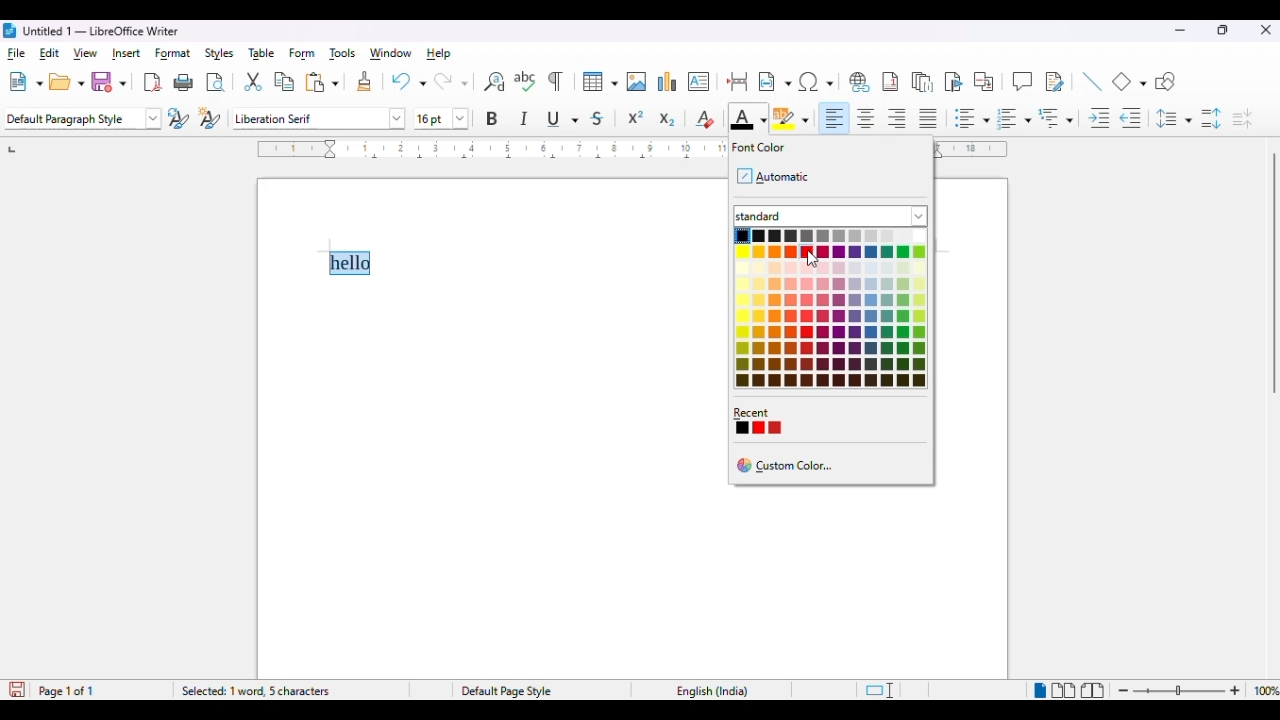  What do you see at coordinates (442, 119) in the screenshot?
I see `font size` at bounding box center [442, 119].